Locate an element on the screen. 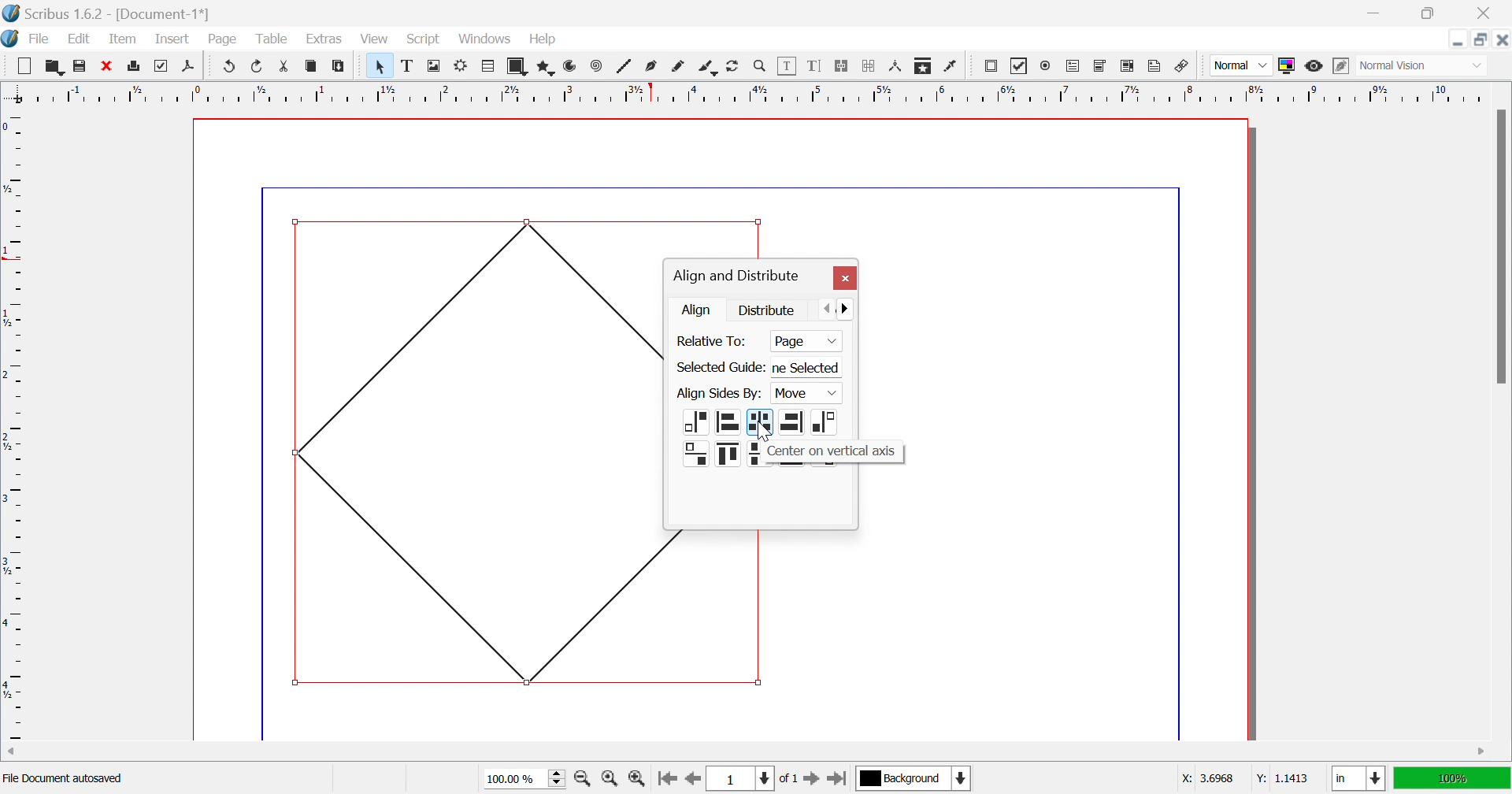  Select the image preview quality is located at coordinates (1240, 65).